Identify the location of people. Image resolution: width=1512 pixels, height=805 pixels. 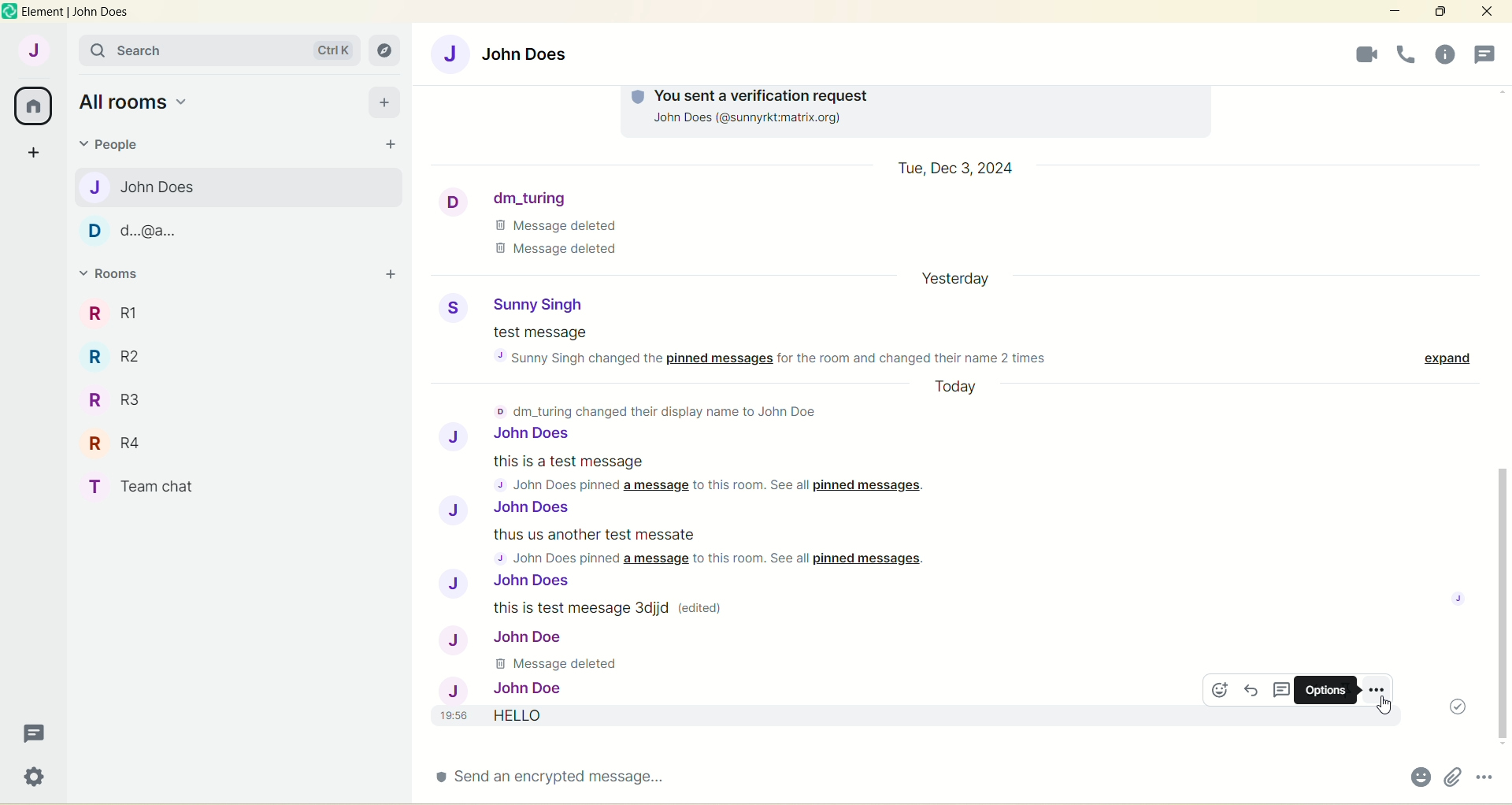
(1487, 53).